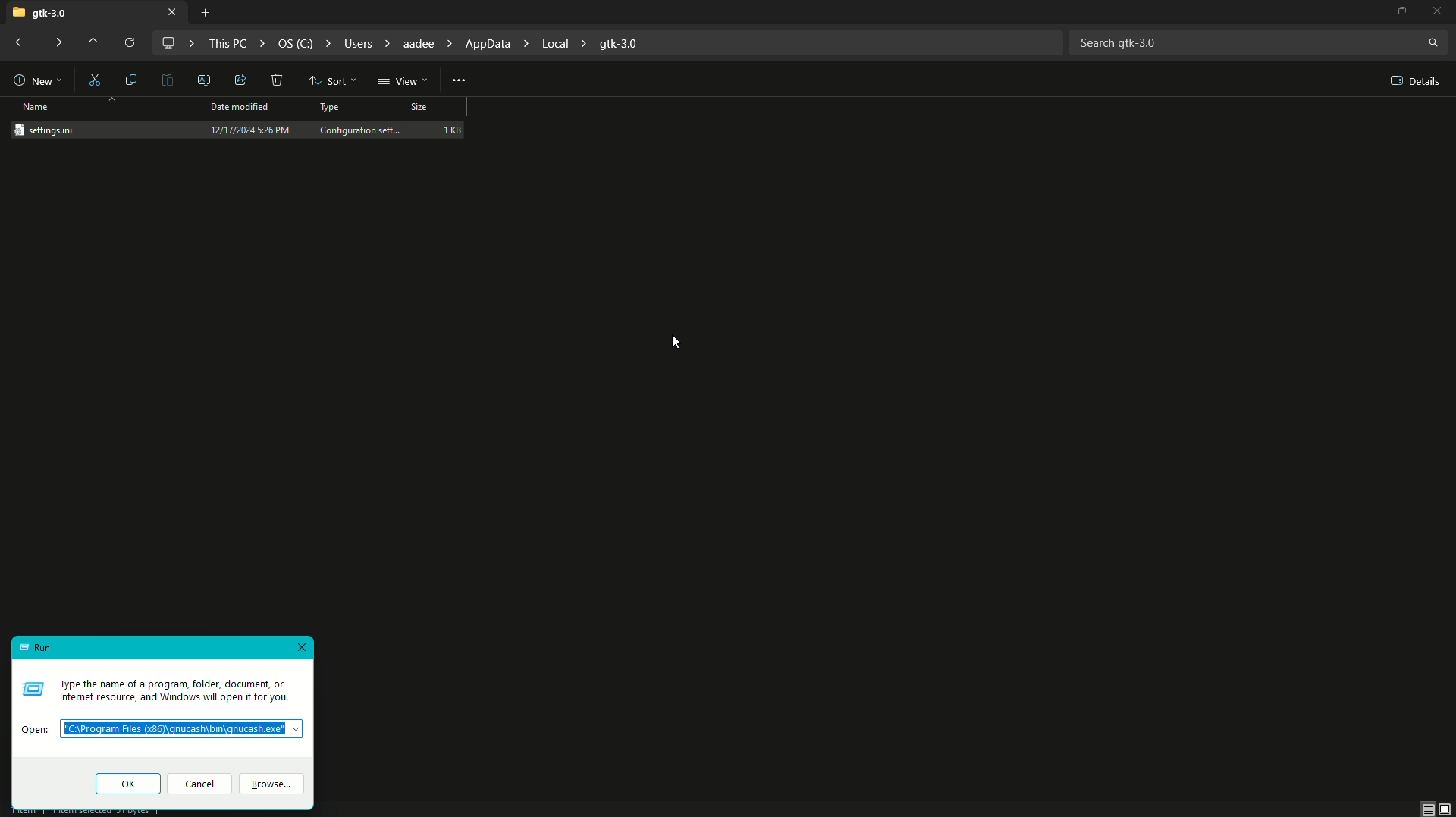 This screenshot has height=817, width=1456. Describe the element at coordinates (278, 81) in the screenshot. I see `Delete` at that location.